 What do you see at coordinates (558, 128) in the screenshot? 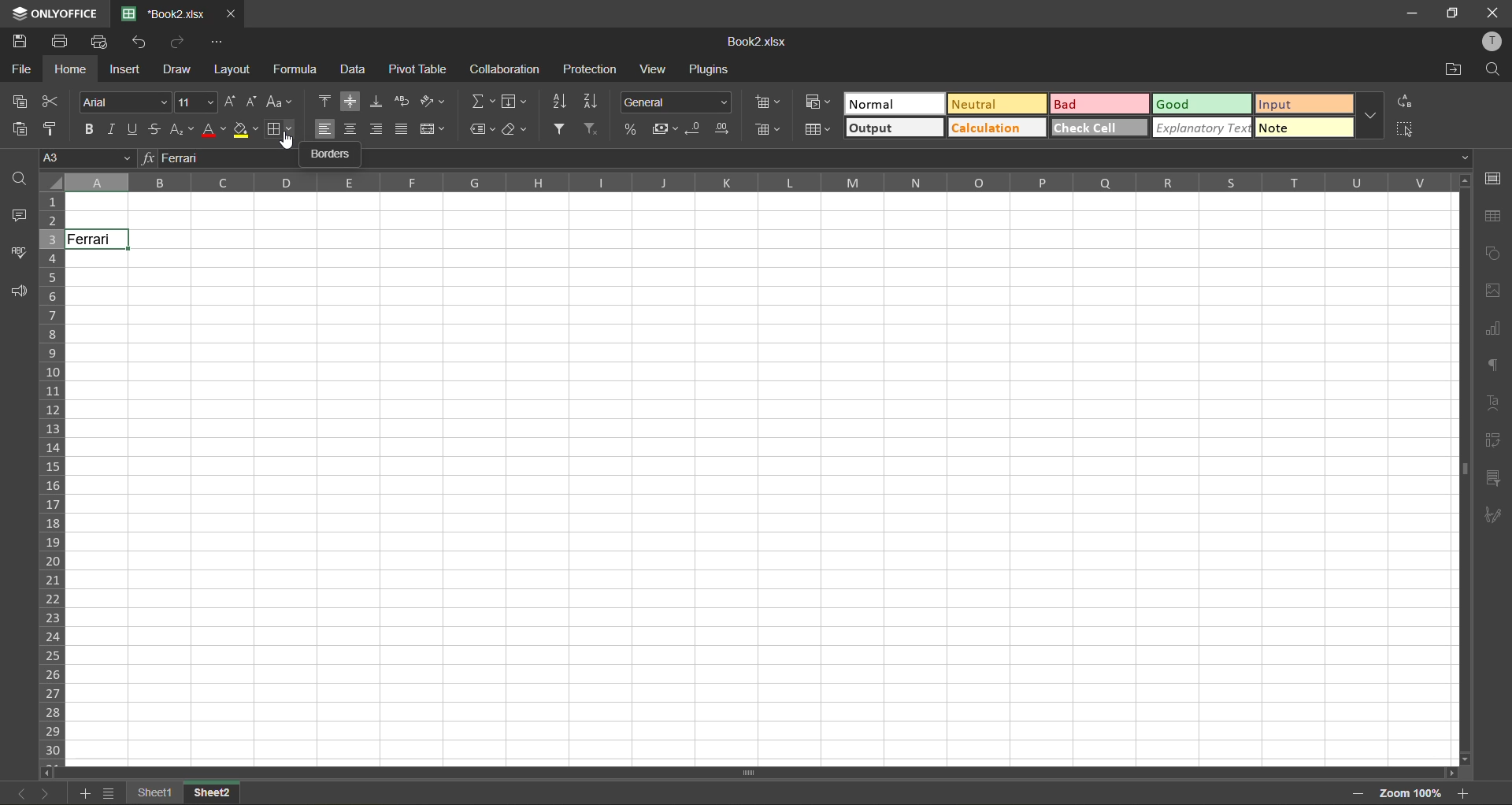
I see `filter` at bounding box center [558, 128].